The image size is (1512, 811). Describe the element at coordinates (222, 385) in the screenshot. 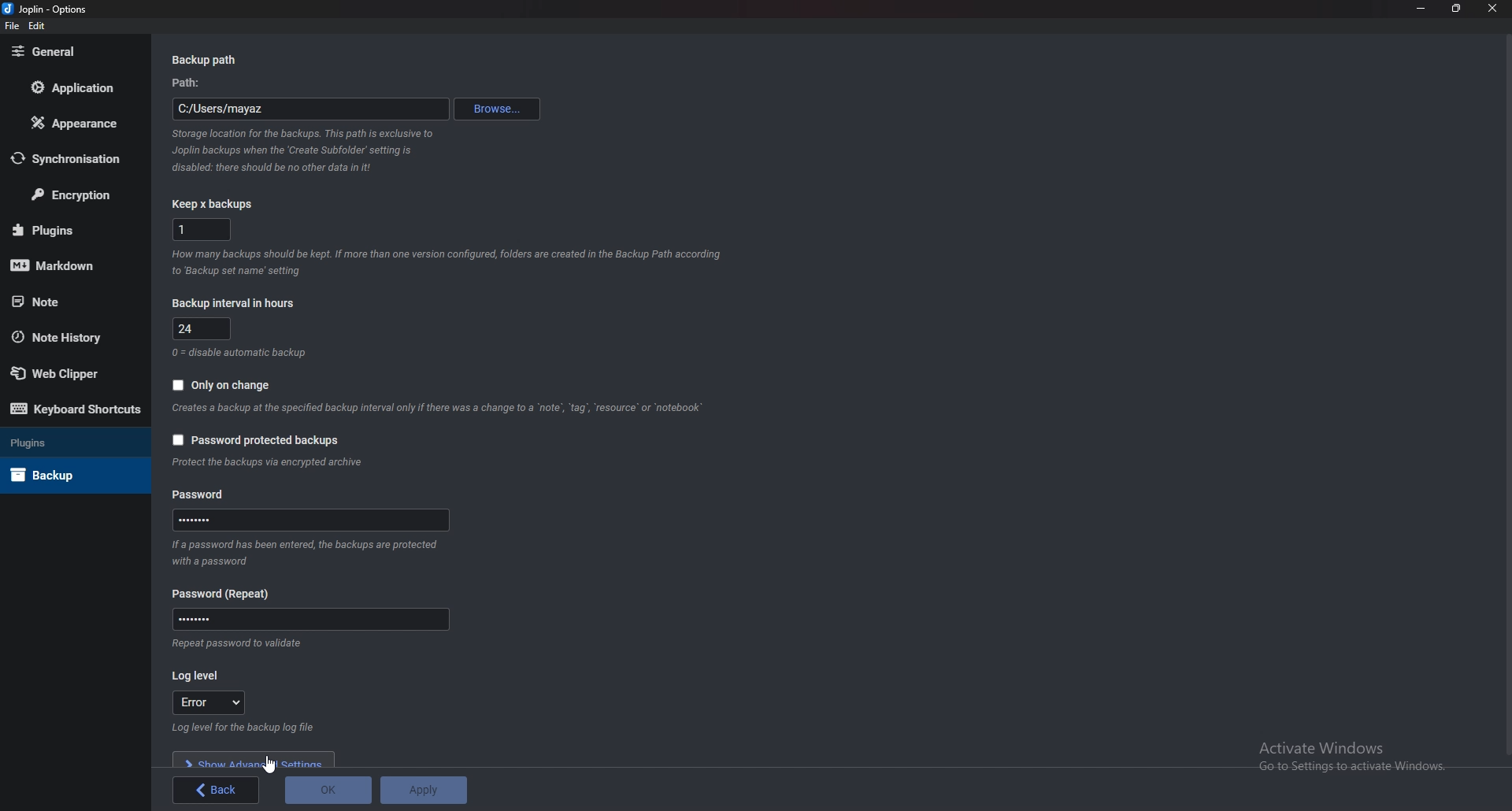

I see `Only on change` at that location.